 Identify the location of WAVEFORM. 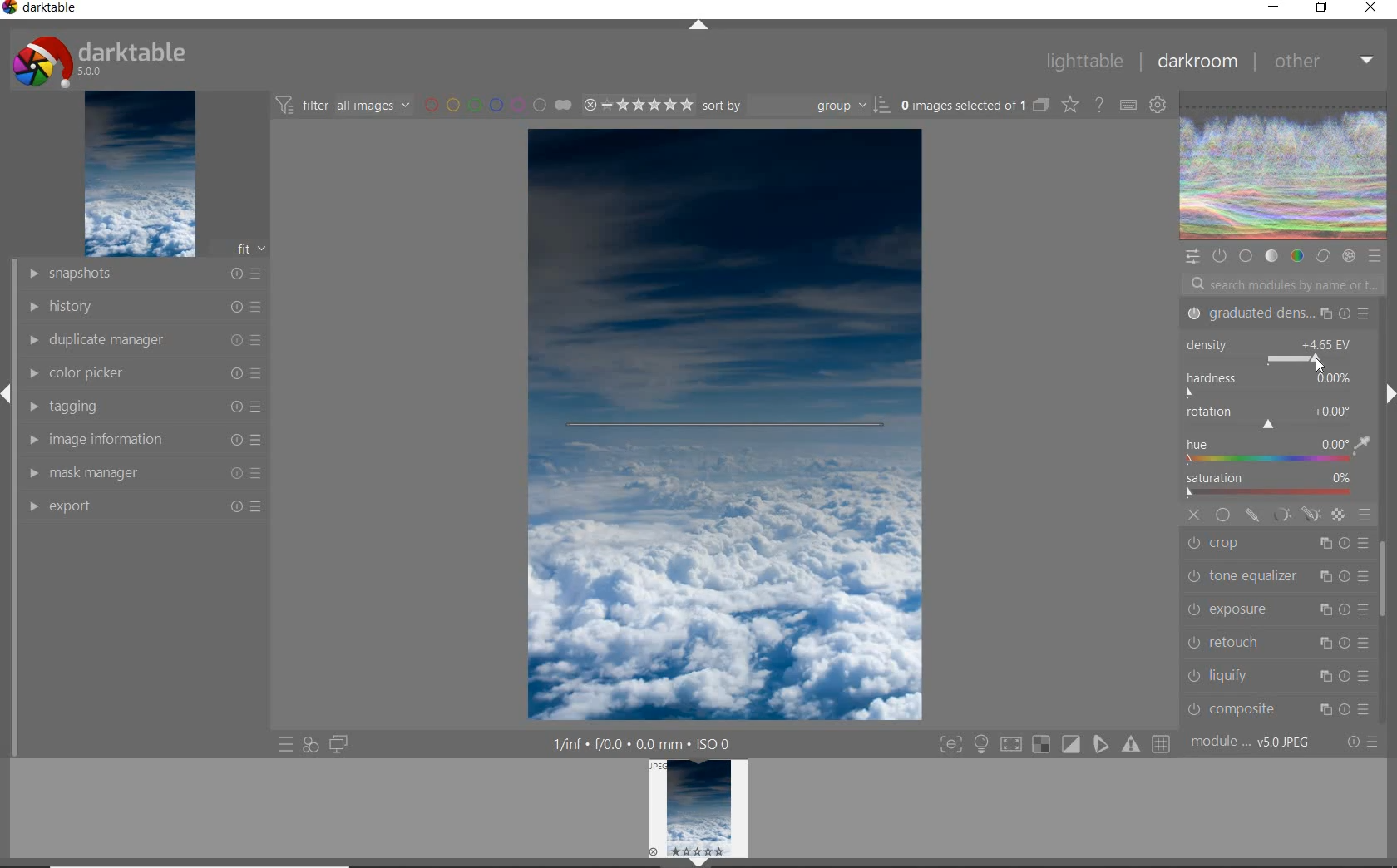
(1284, 166).